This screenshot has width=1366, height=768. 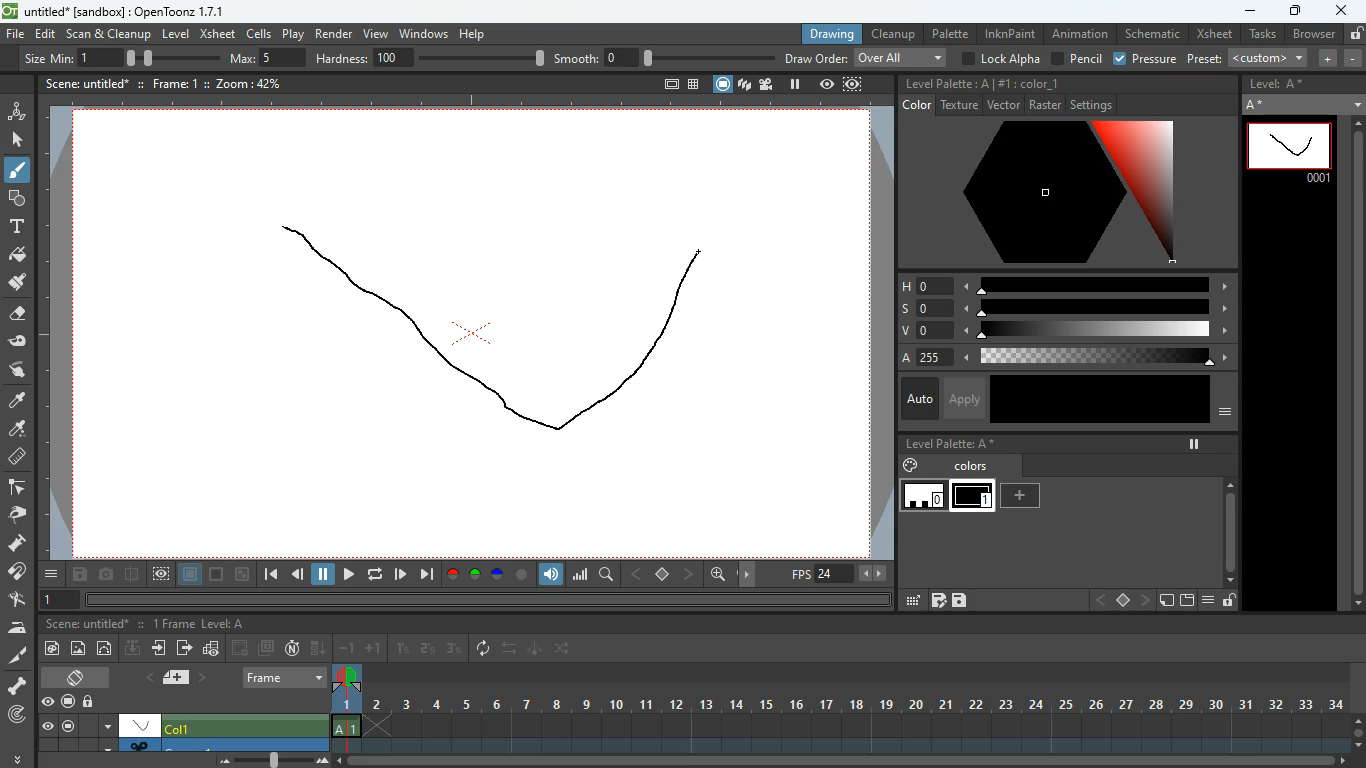 I want to click on color, so click(x=522, y=575).